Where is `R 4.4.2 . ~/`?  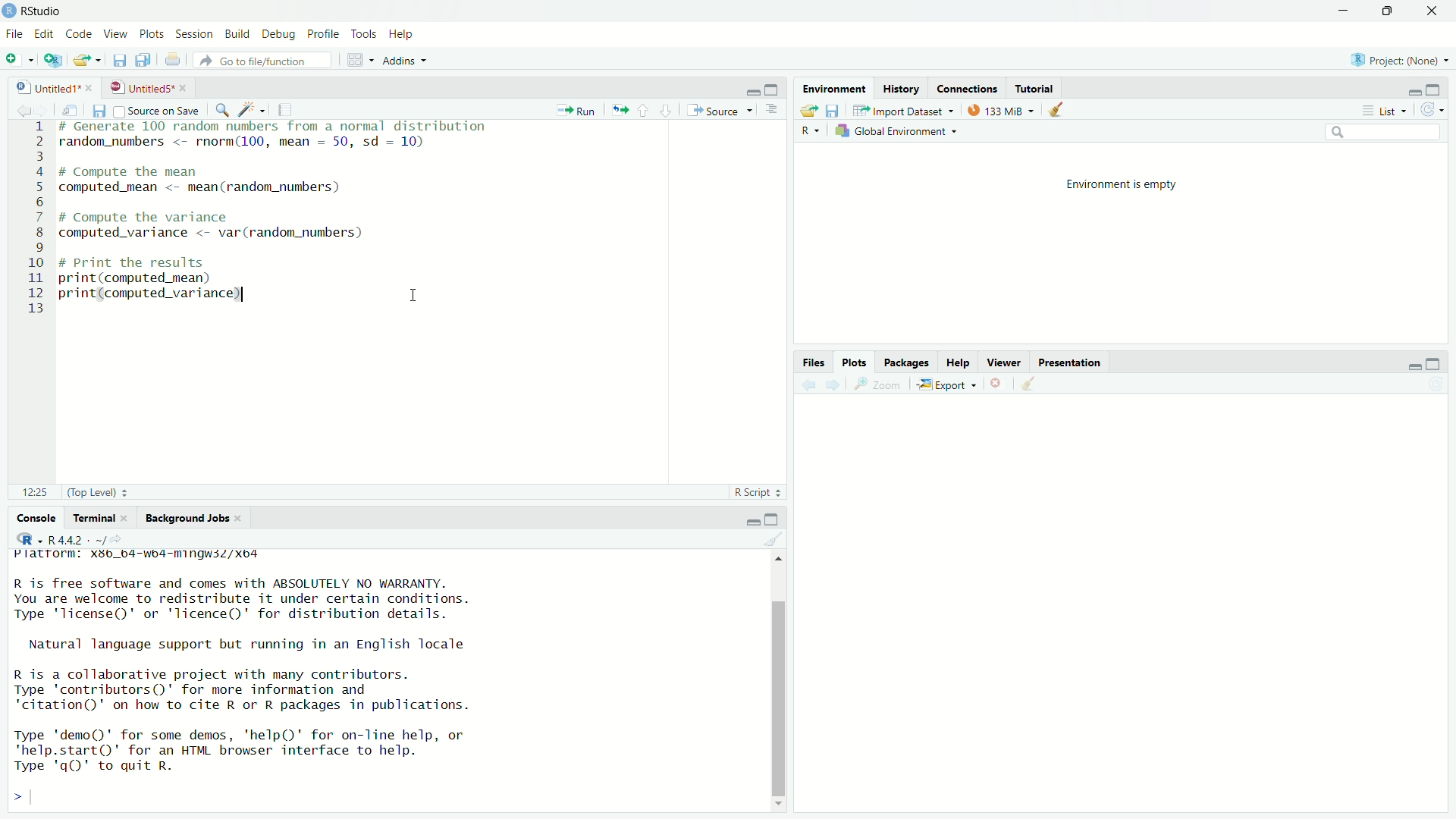
R 4.4.2 . ~/ is located at coordinates (77, 539).